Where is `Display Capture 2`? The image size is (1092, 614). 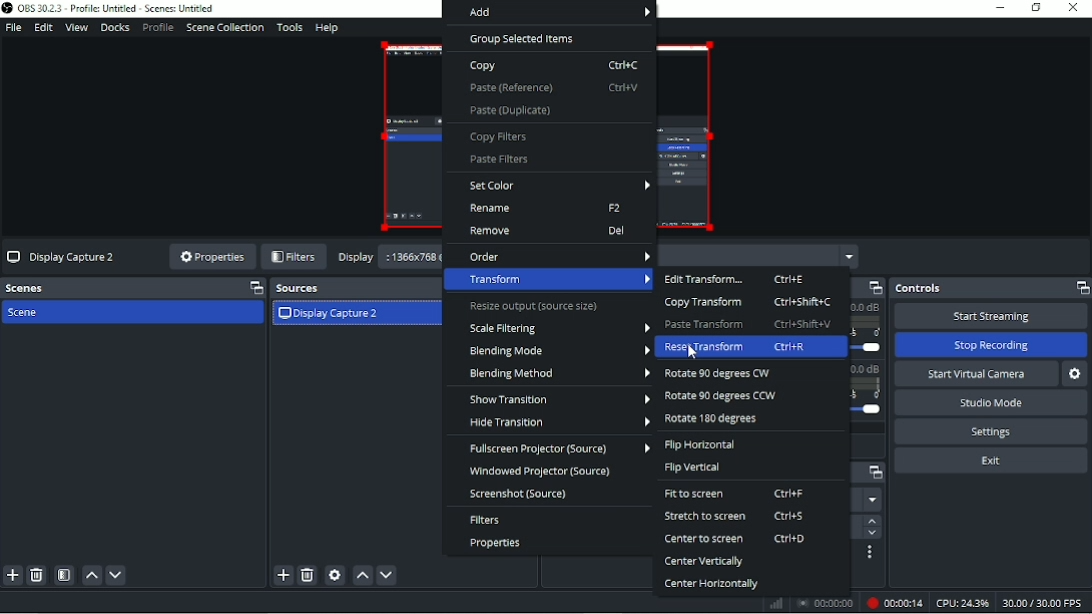
Display Capture 2 is located at coordinates (64, 258).